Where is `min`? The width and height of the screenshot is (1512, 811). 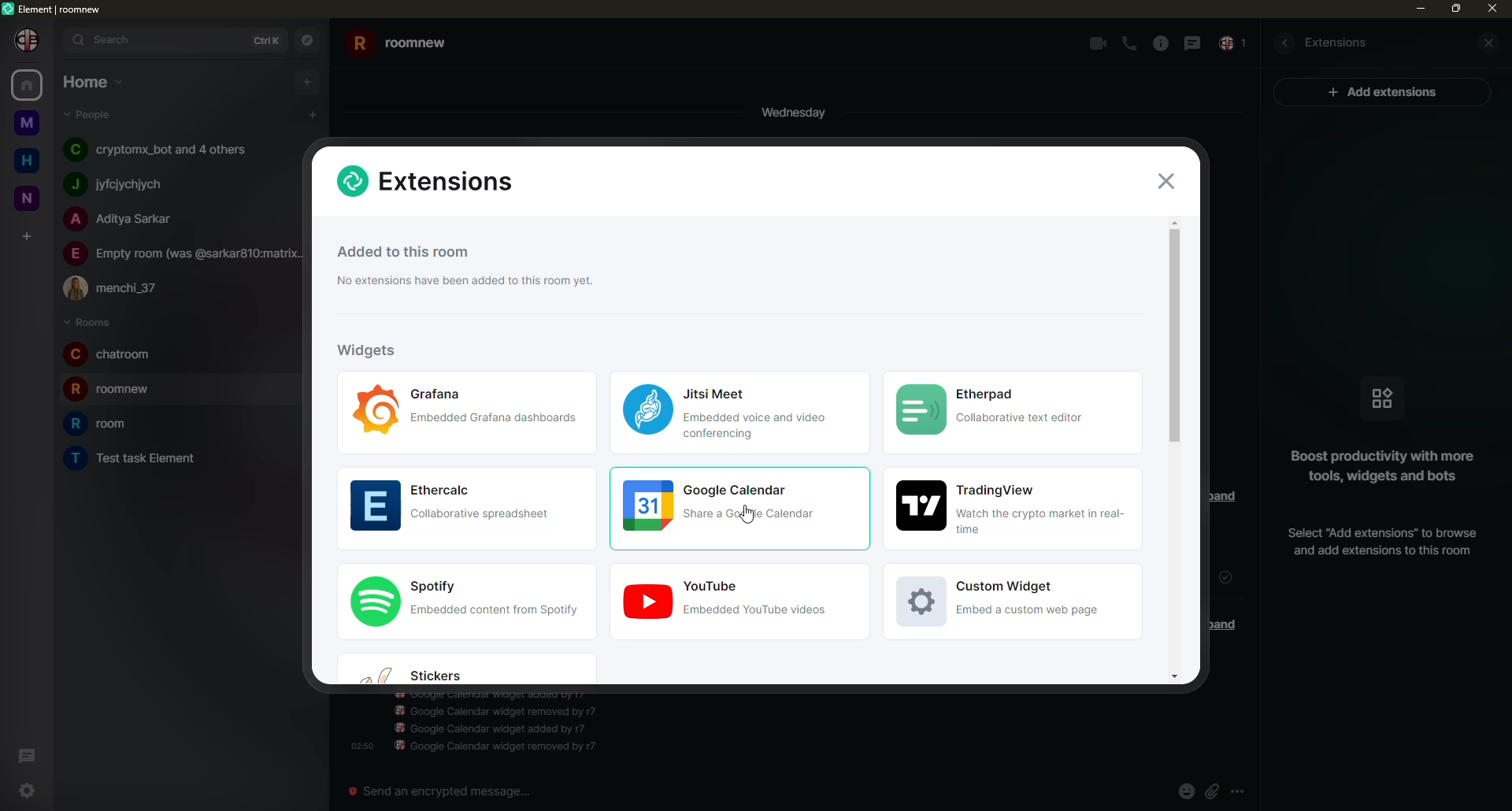
min is located at coordinates (1415, 9).